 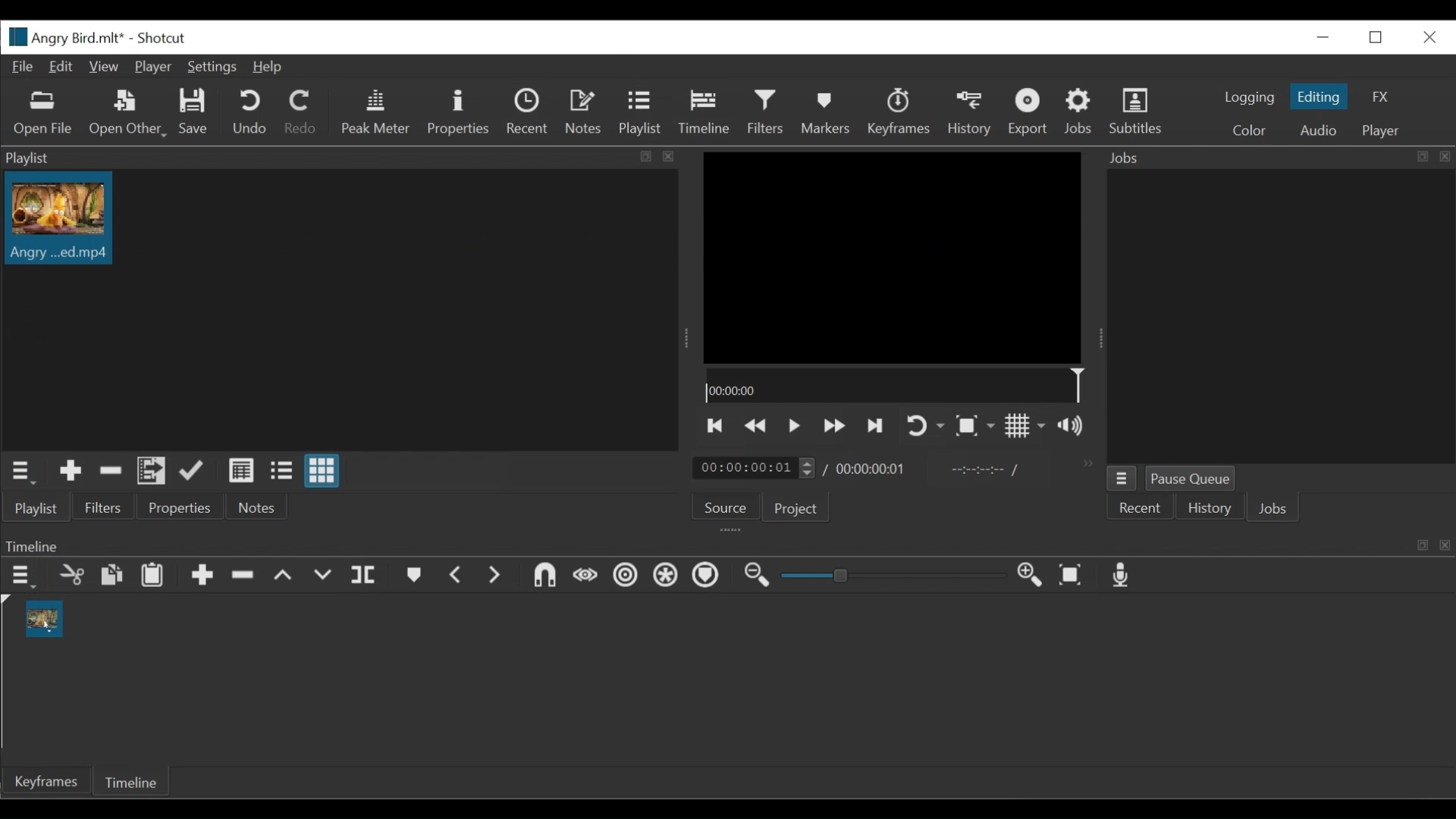 What do you see at coordinates (1279, 158) in the screenshot?
I see `Jobs Panel` at bounding box center [1279, 158].